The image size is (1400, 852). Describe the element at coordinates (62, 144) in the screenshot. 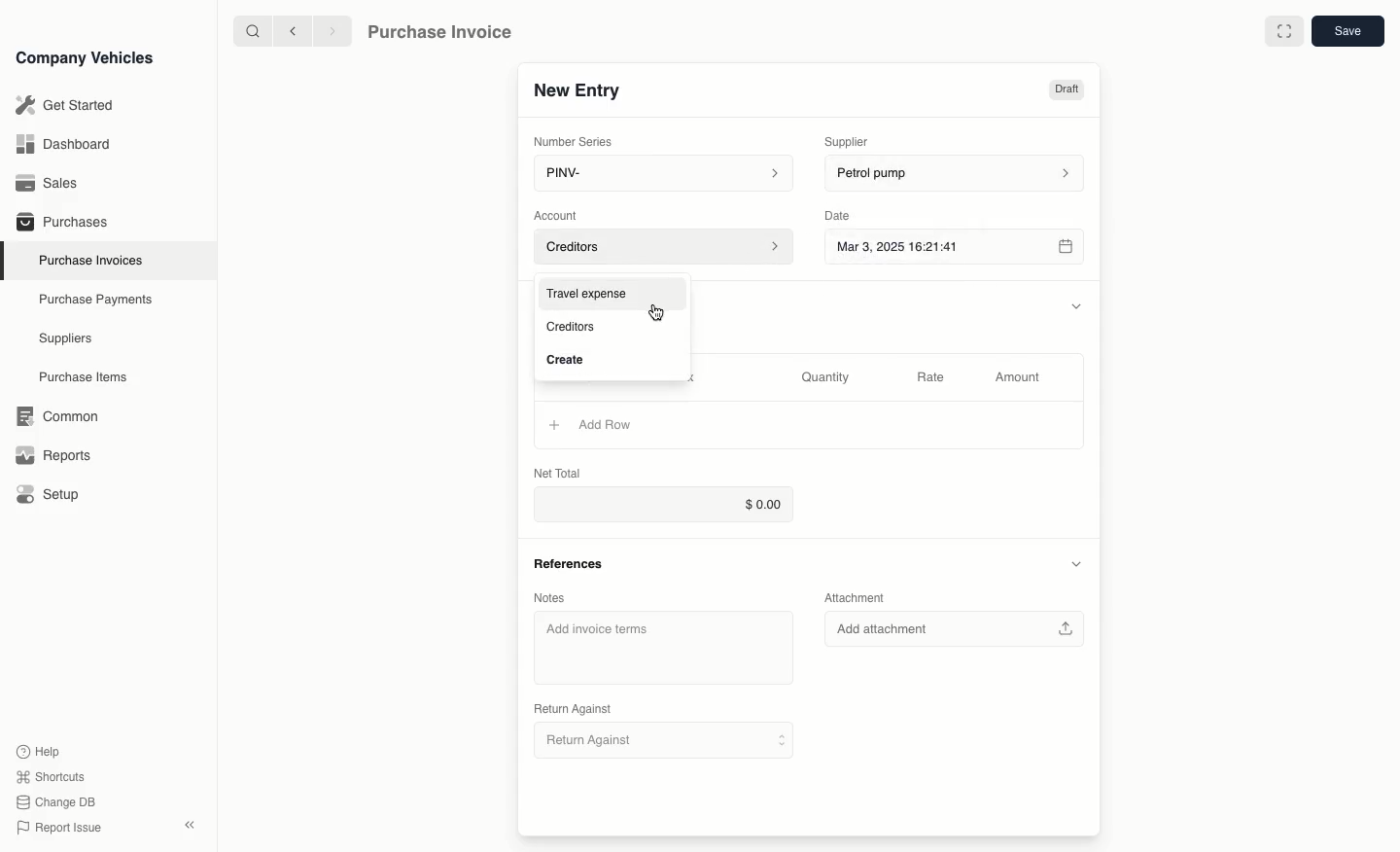

I see `Dashboard` at that location.